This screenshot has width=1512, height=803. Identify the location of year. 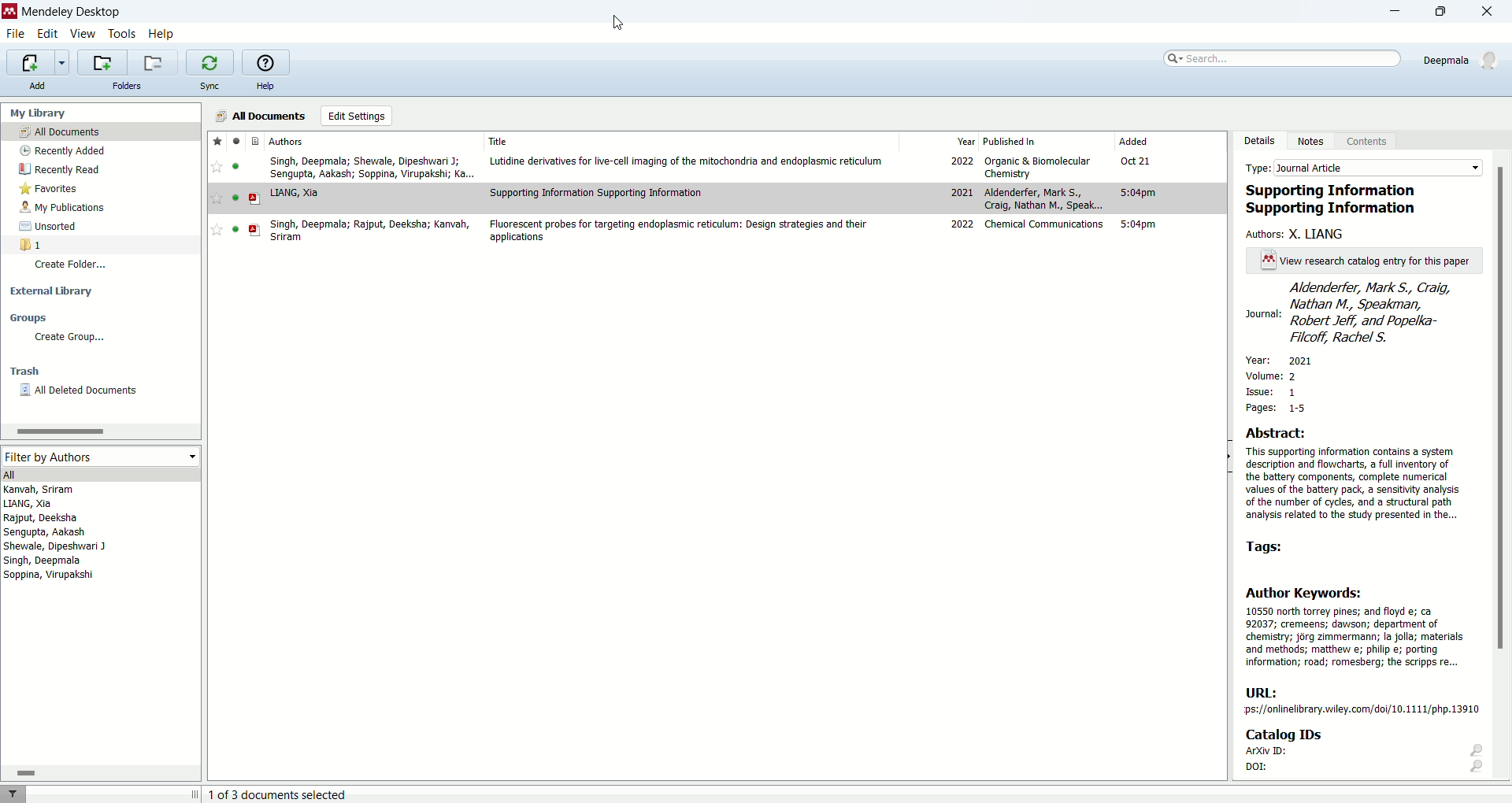
(967, 140).